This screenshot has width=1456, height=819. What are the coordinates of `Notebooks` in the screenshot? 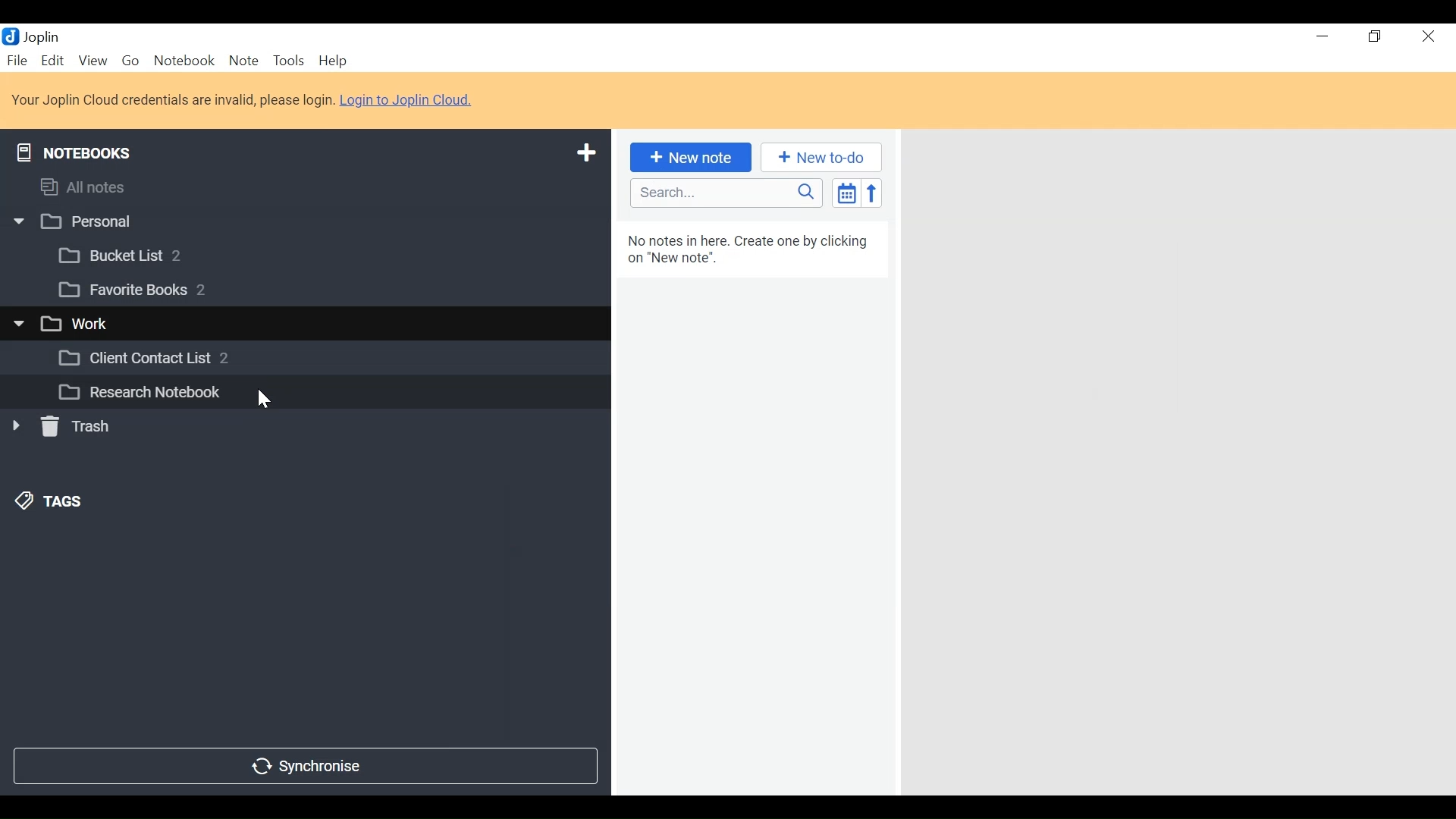 It's located at (85, 149).